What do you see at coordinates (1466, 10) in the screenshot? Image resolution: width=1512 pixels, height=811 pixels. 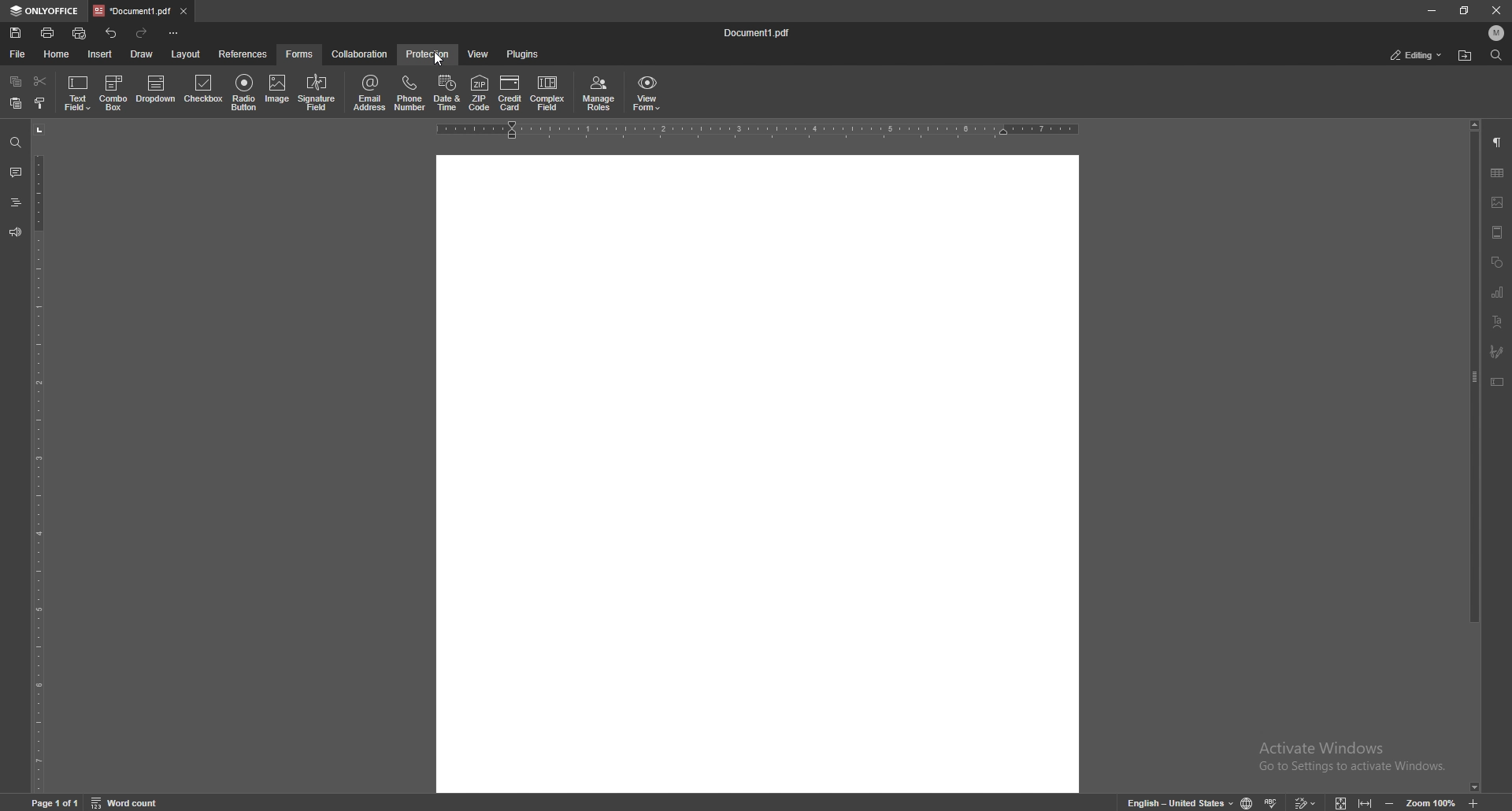 I see `resize` at bounding box center [1466, 10].